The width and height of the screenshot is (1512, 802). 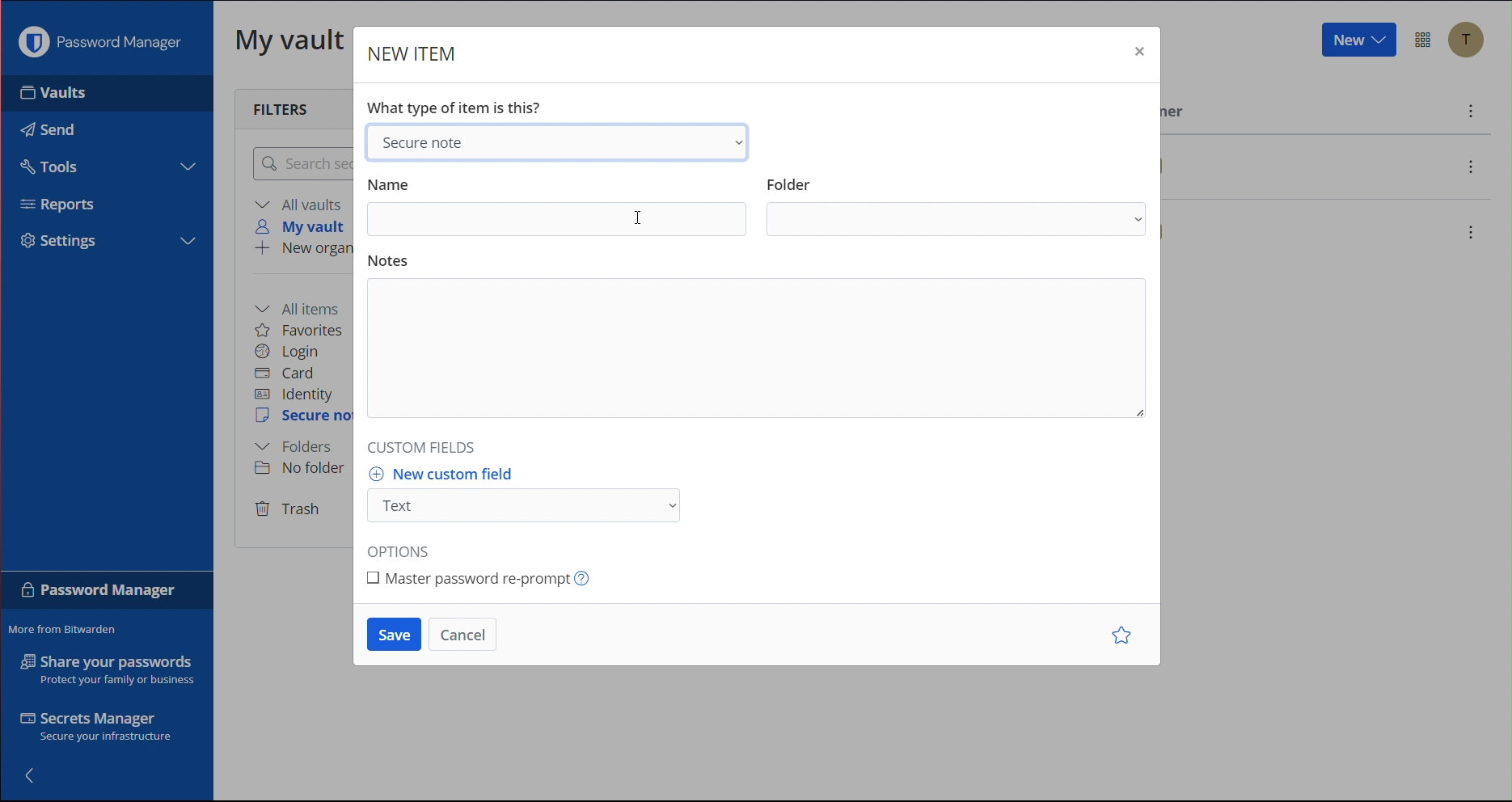 What do you see at coordinates (48, 129) in the screenshot?
I see `Send` at bounding box center [48, 129].